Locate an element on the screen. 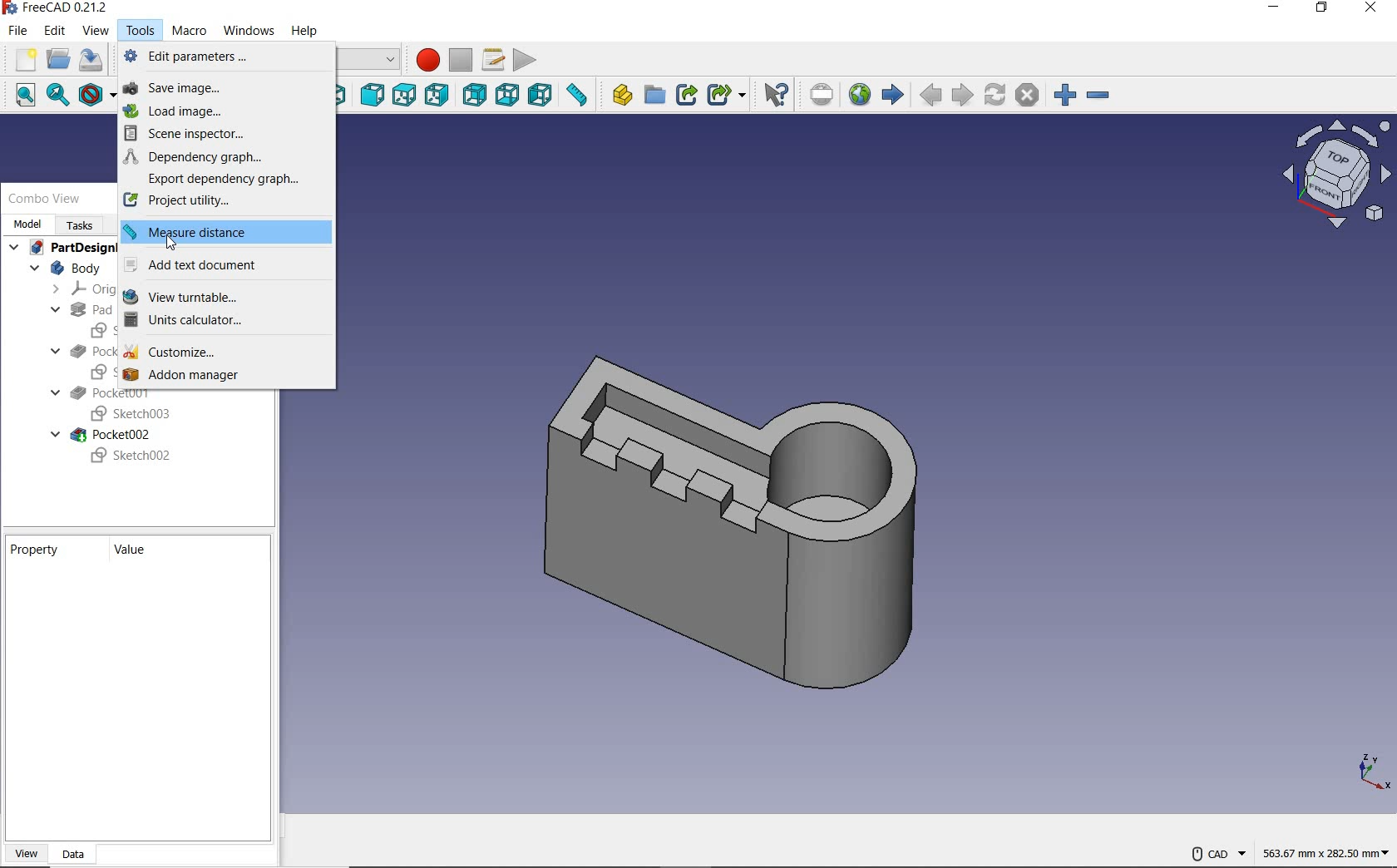 The image size is (1397, 868). CUSTOMIZE is located at coordinates (221, 351).